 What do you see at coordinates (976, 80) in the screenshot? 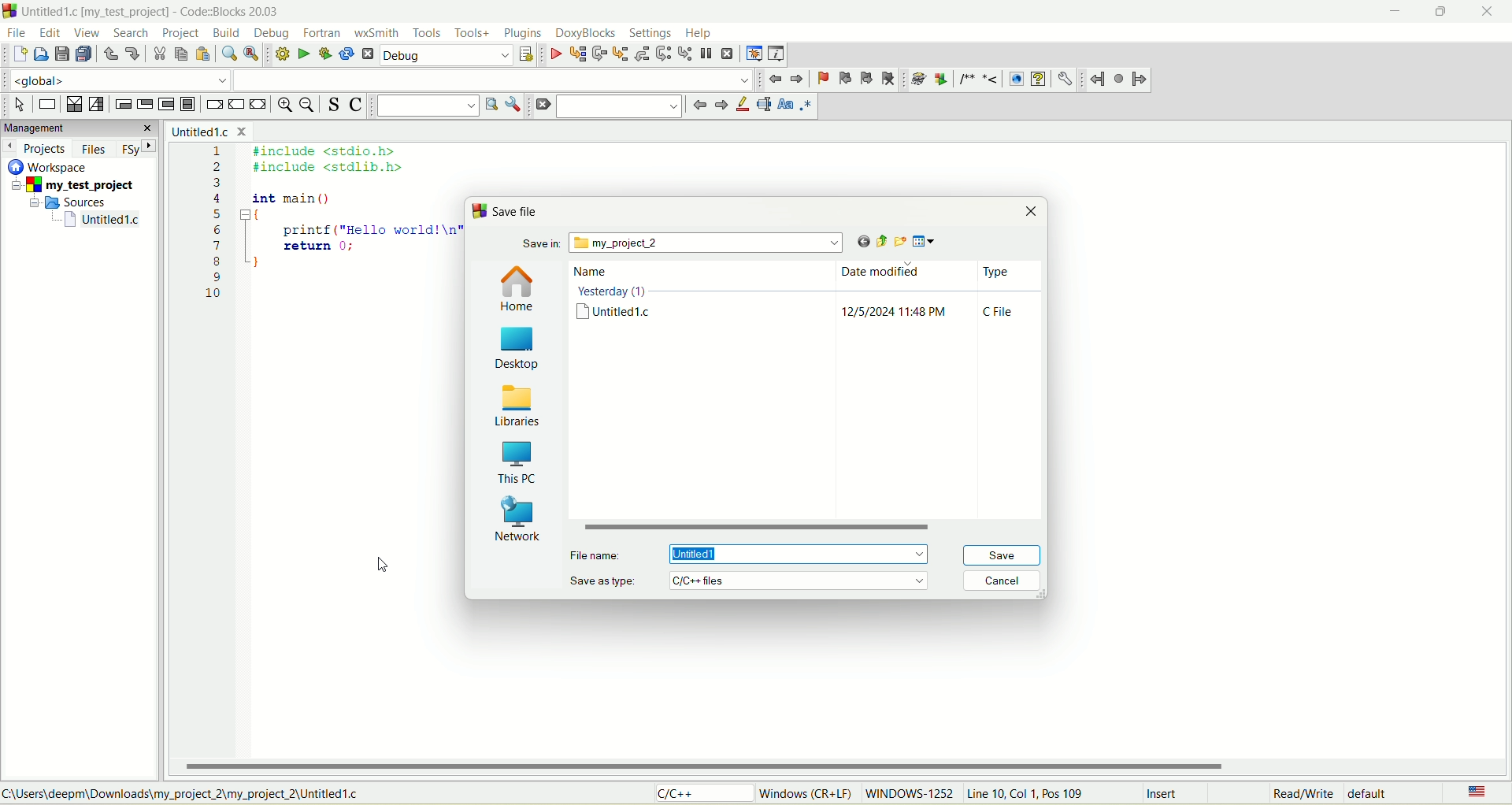
I see `comment` at bounding box center [976, 80].